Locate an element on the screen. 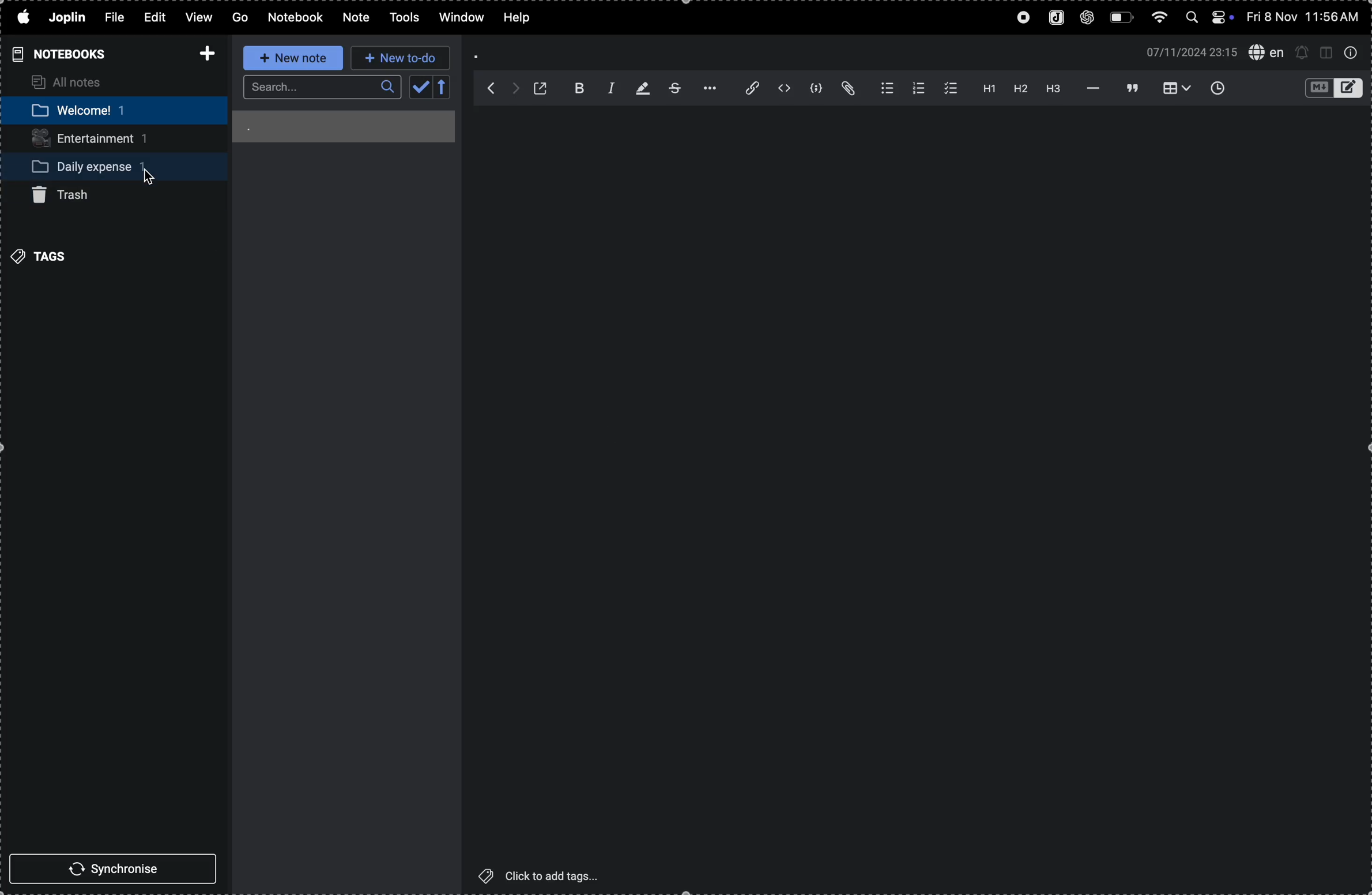 The image size is (1372, 895). apple widgets is located at coordinates (1208, 18).